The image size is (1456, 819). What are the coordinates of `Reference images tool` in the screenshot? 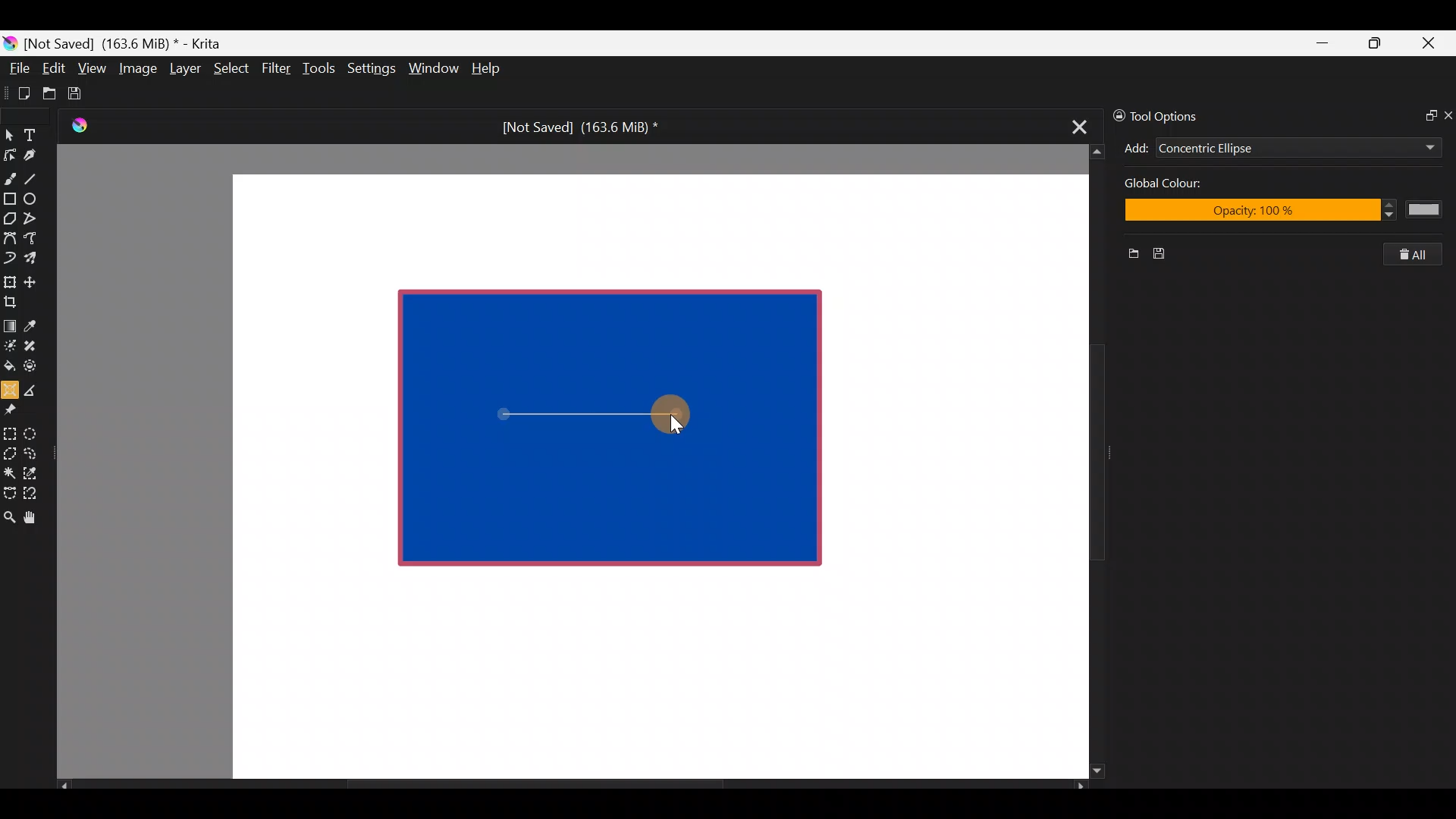 It's located at (15, 408).